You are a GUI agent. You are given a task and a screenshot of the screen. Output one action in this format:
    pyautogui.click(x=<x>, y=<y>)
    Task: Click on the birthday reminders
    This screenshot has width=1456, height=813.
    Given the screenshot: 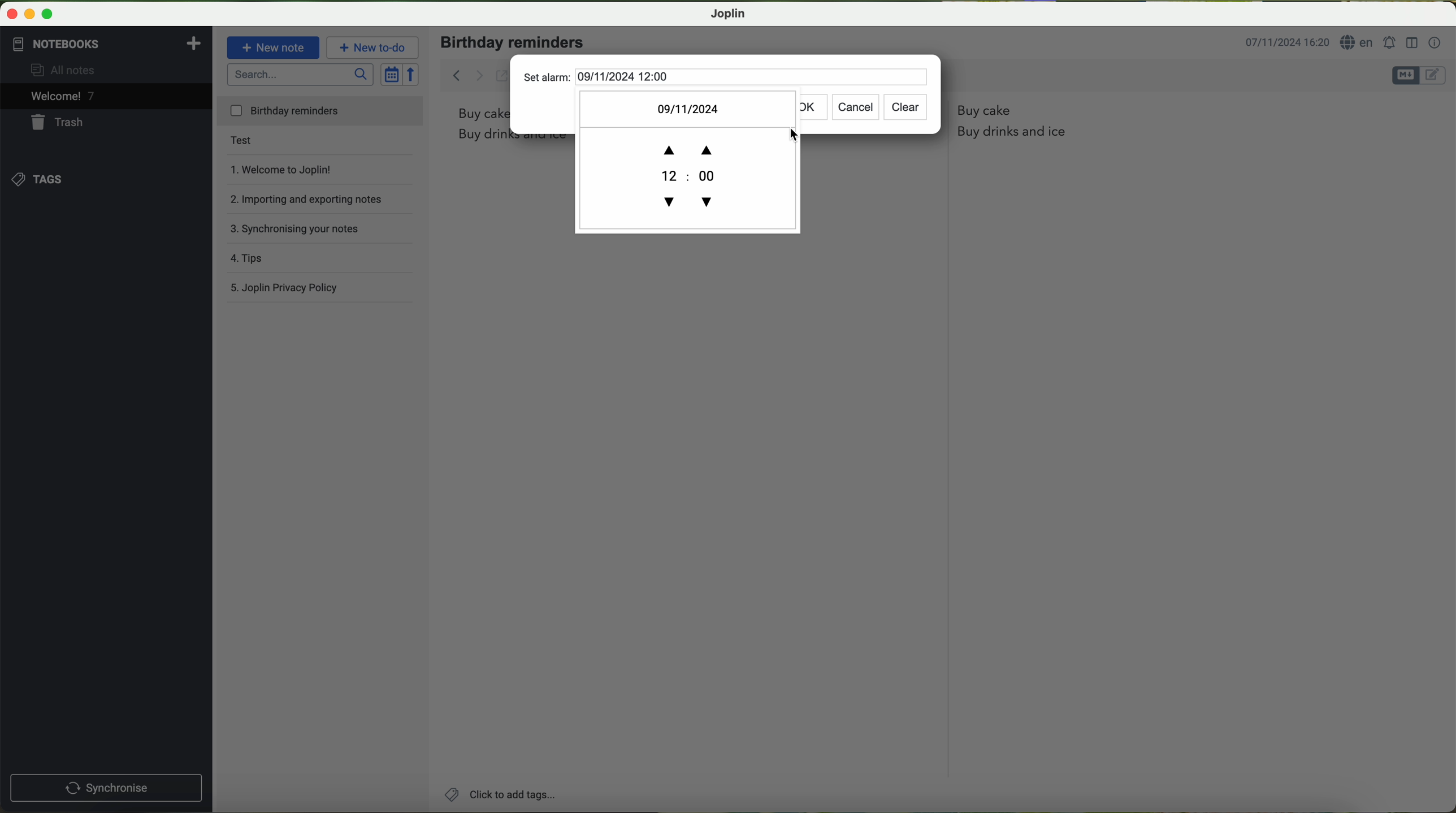 What is the action you would take?
    pyautogui.click(x=515, y=42)
    